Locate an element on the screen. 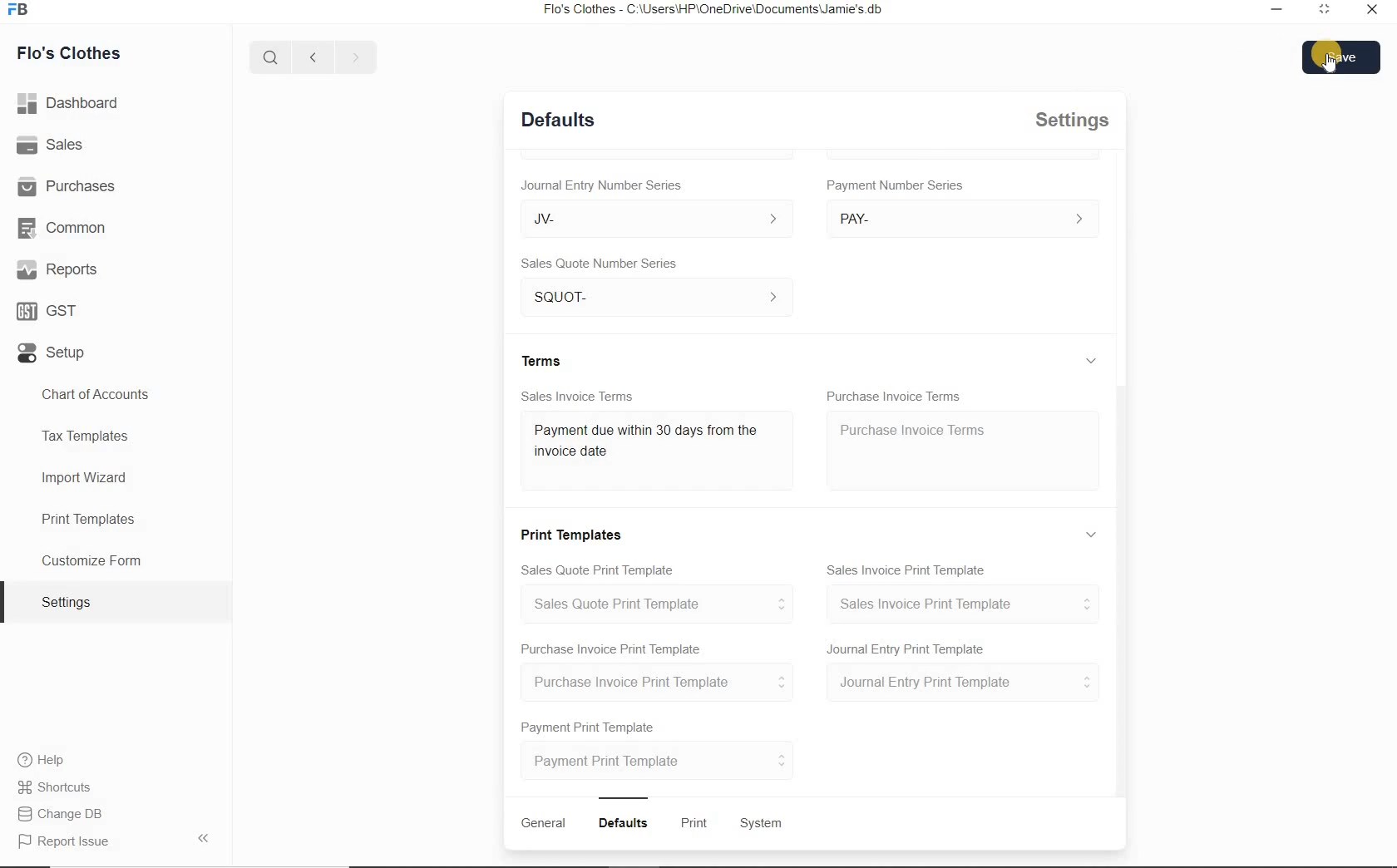 Image resolution: width=1397 pixels, height=868 pixels. Sales Invoice Print Template is located at coordinates (906, 570).